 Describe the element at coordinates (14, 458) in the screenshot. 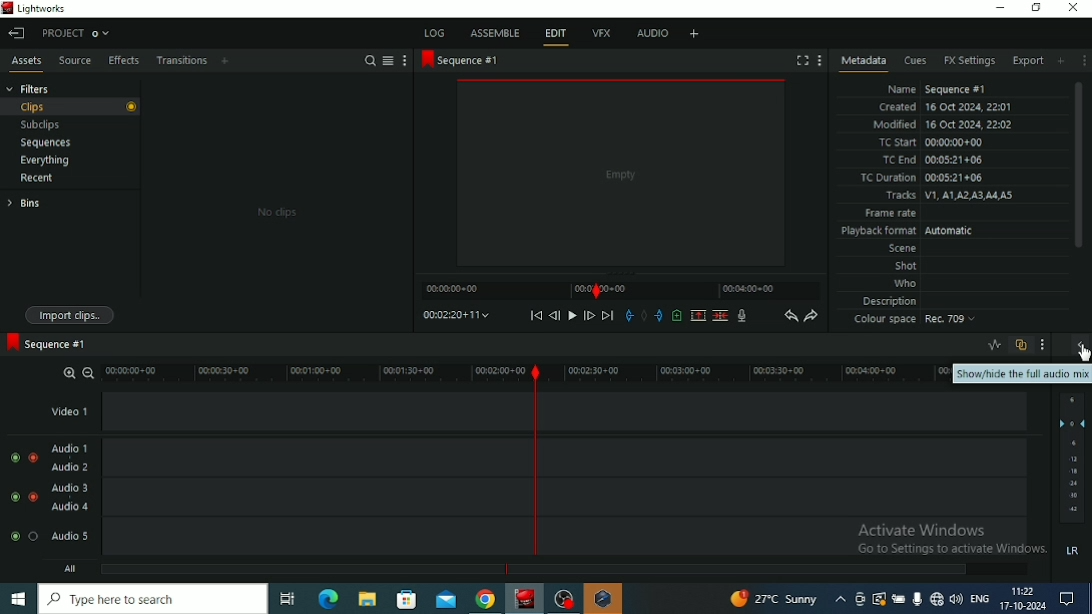

I see `Mute/unmute this track` at that location.